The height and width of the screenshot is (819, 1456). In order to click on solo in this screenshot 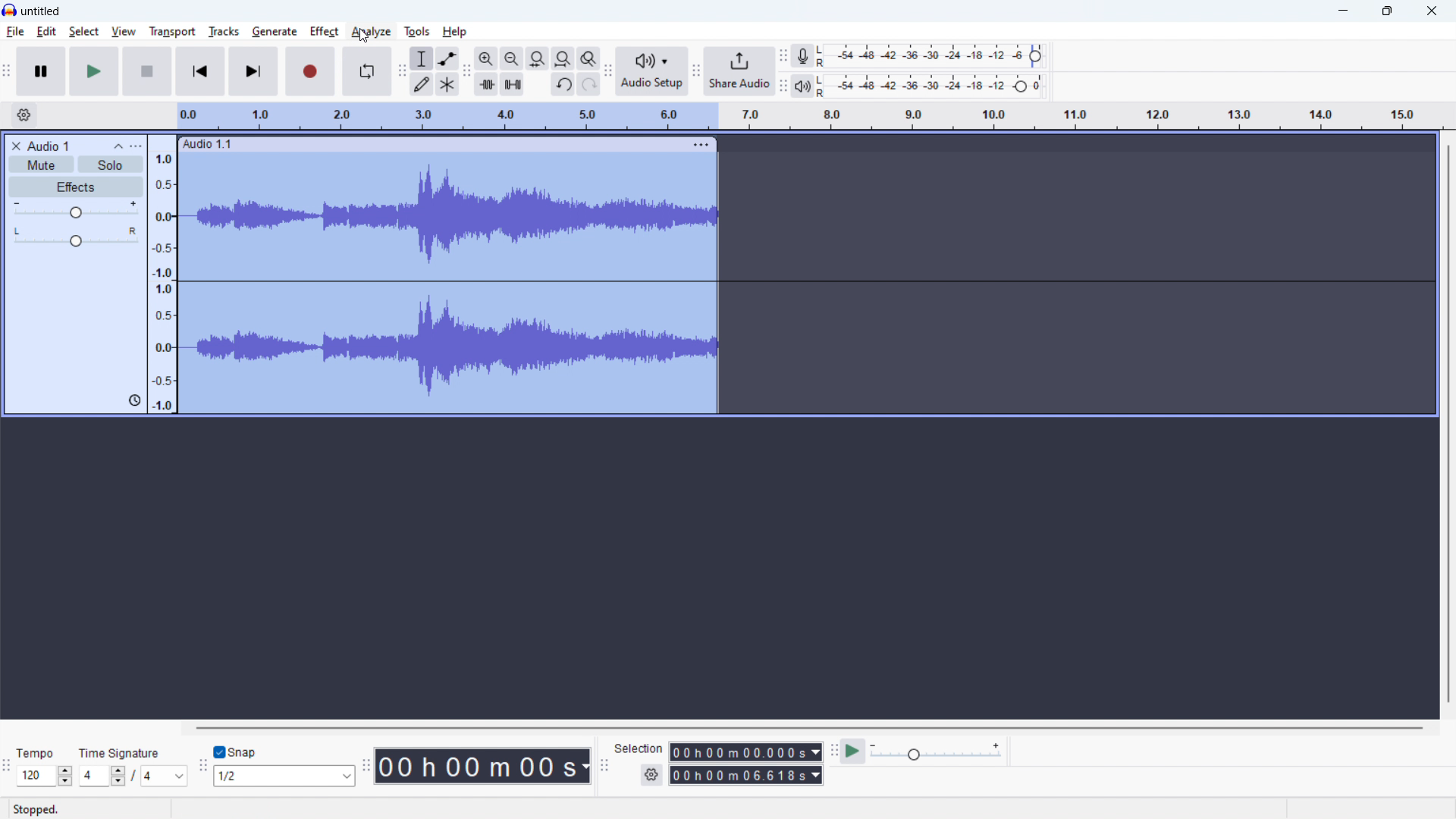, I will do `click(111, 165)`.